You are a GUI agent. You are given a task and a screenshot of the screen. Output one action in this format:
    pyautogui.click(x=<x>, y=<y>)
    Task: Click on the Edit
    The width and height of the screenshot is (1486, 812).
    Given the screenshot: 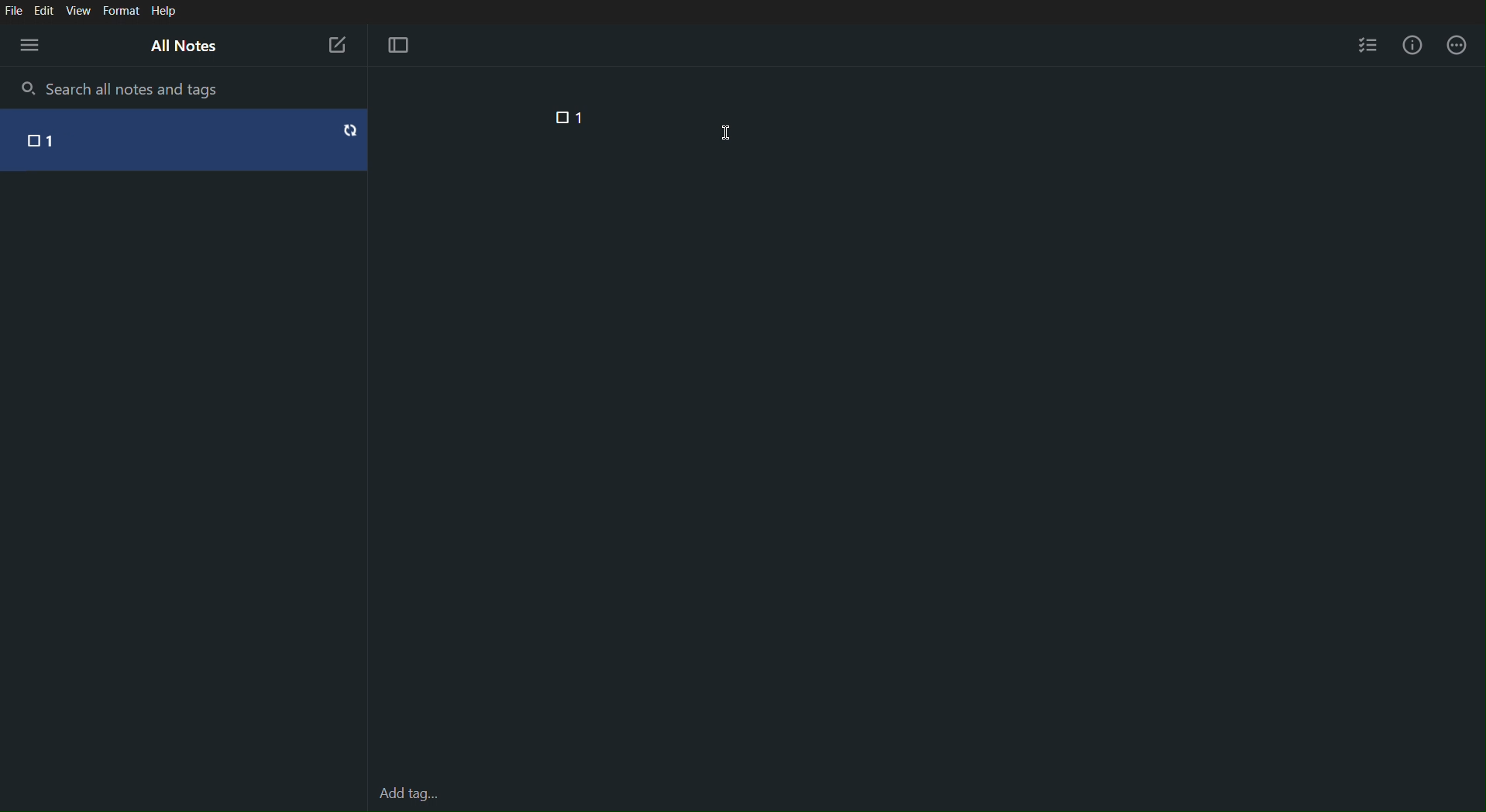 What is the action you would take?
    pyautogui.click(x=44, y=10)
    